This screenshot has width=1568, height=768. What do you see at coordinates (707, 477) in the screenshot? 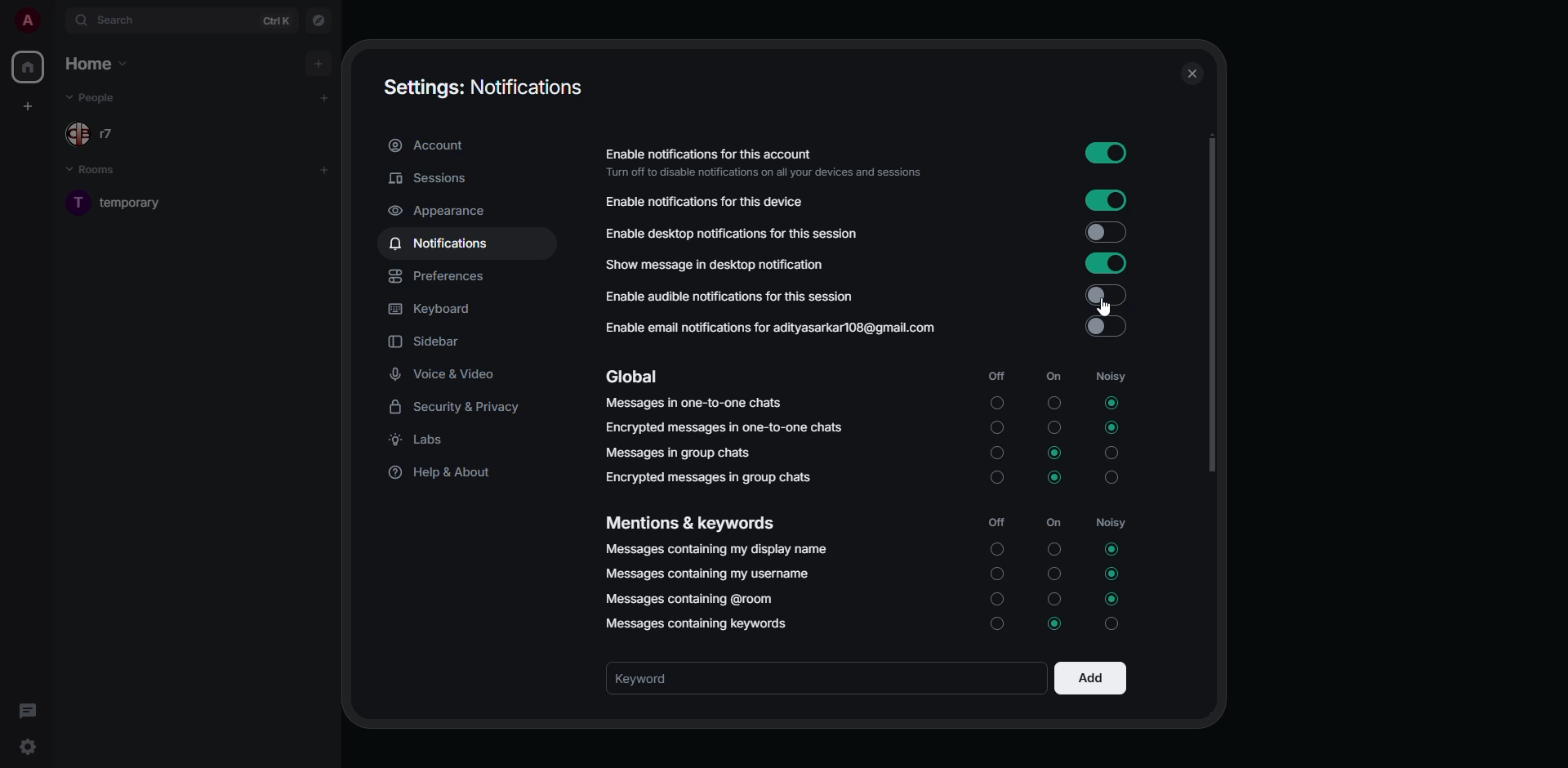
I see `encrypted messages in group chat` at bounding box center [707, 477].